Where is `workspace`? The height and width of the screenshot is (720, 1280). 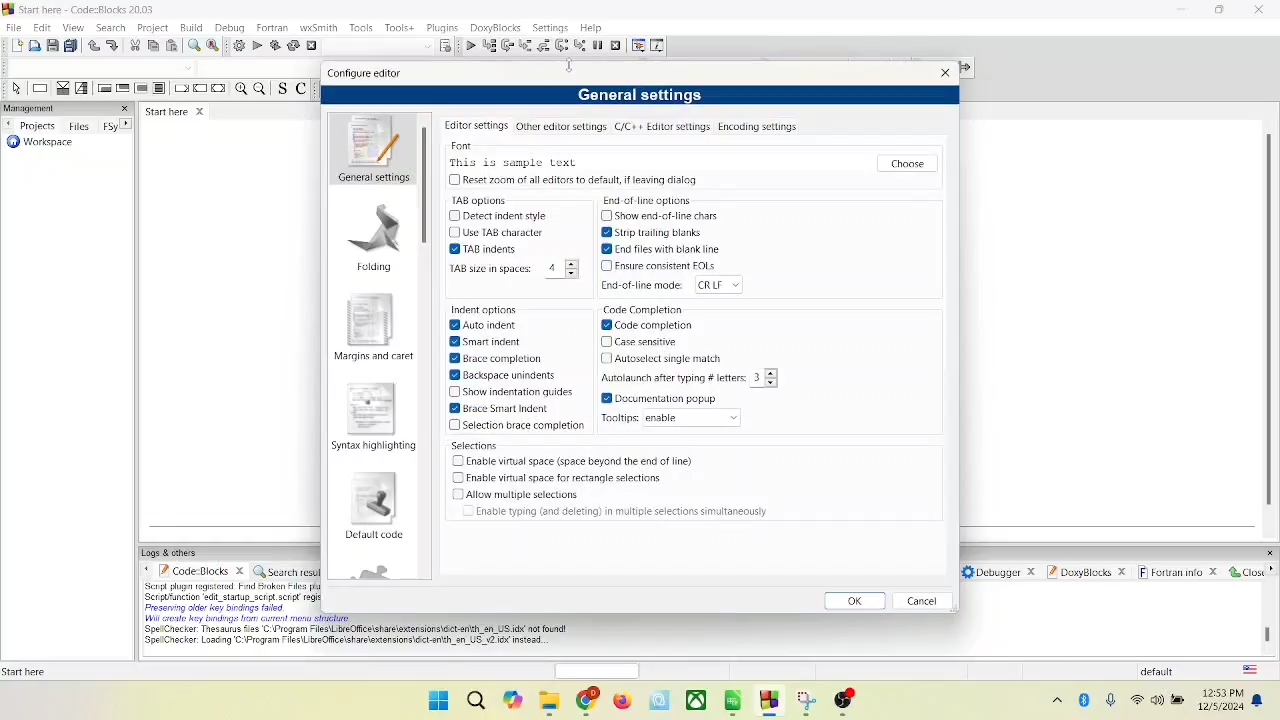 workspace is located at coordinates (37, 147).